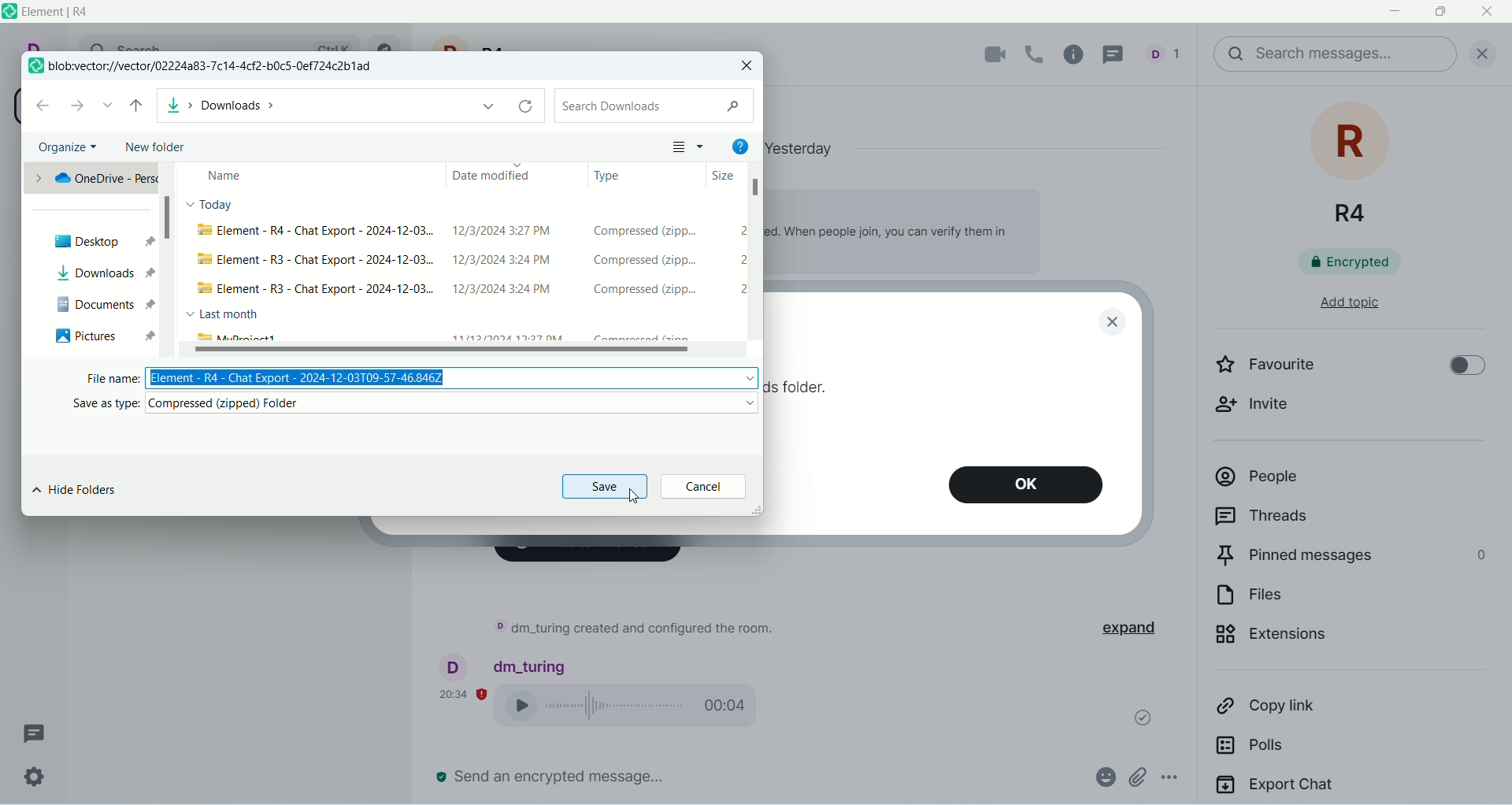 The width and height of the screenshot is (1512, 805). I want to click on files, so click(465, 281).